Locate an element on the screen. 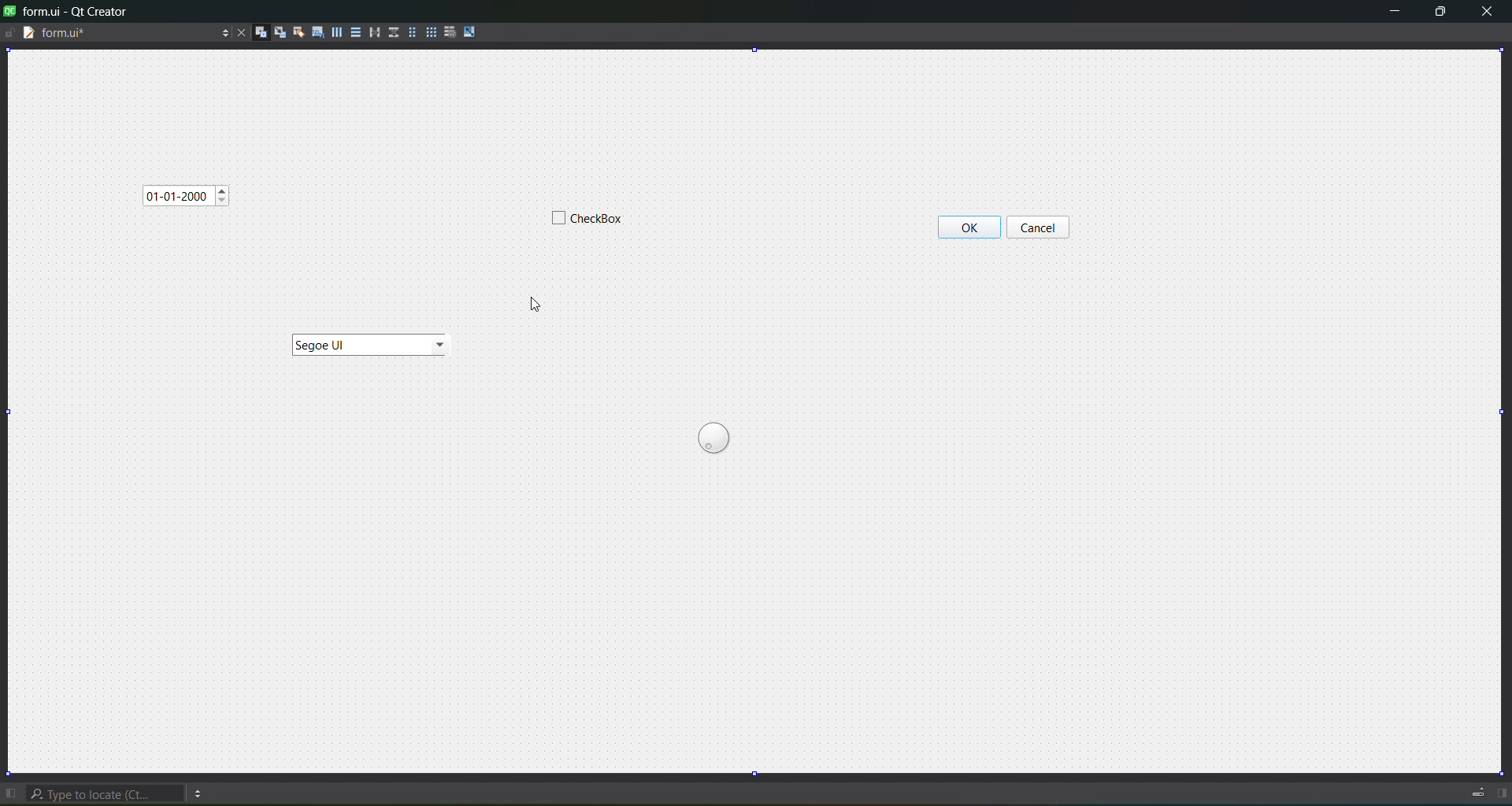 Image resolution: width=1512 pixels, height=806 pixels. Layout Vertical Splitter is located at coordinates (393, 31).